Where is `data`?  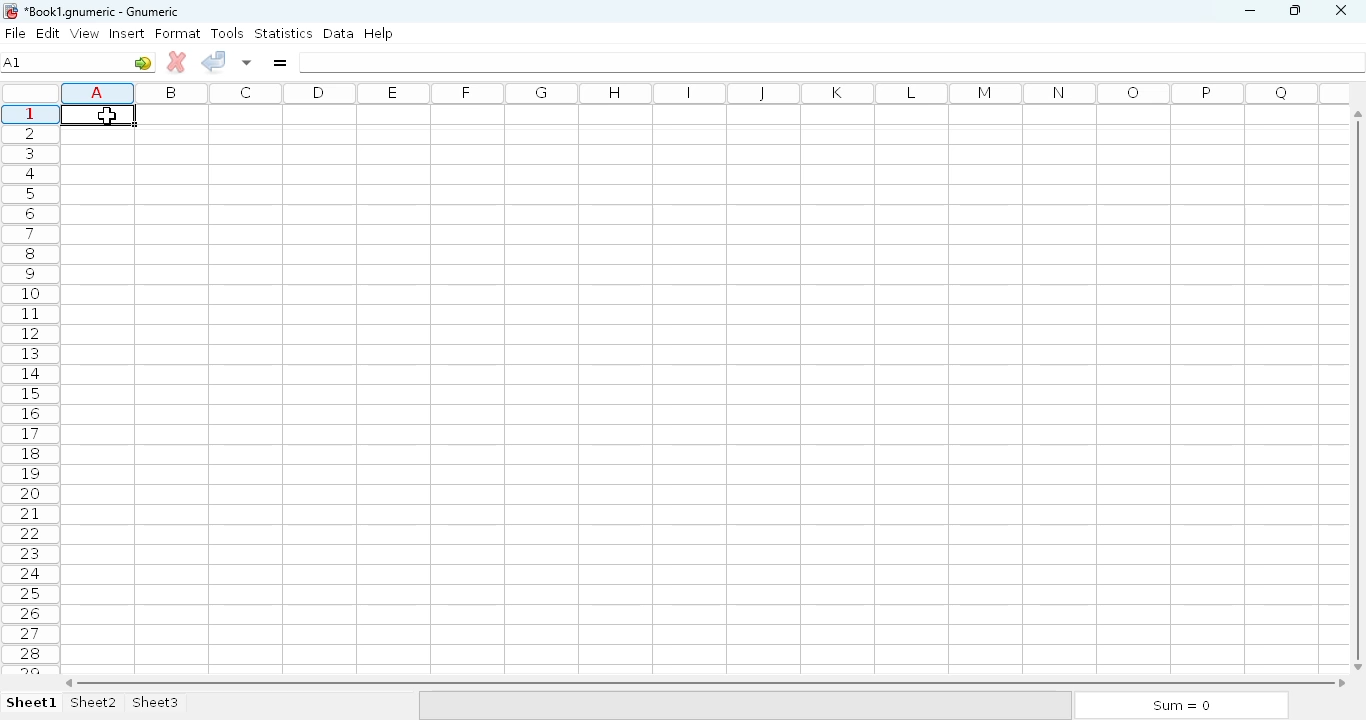
data is located at coordinates (339, 33).